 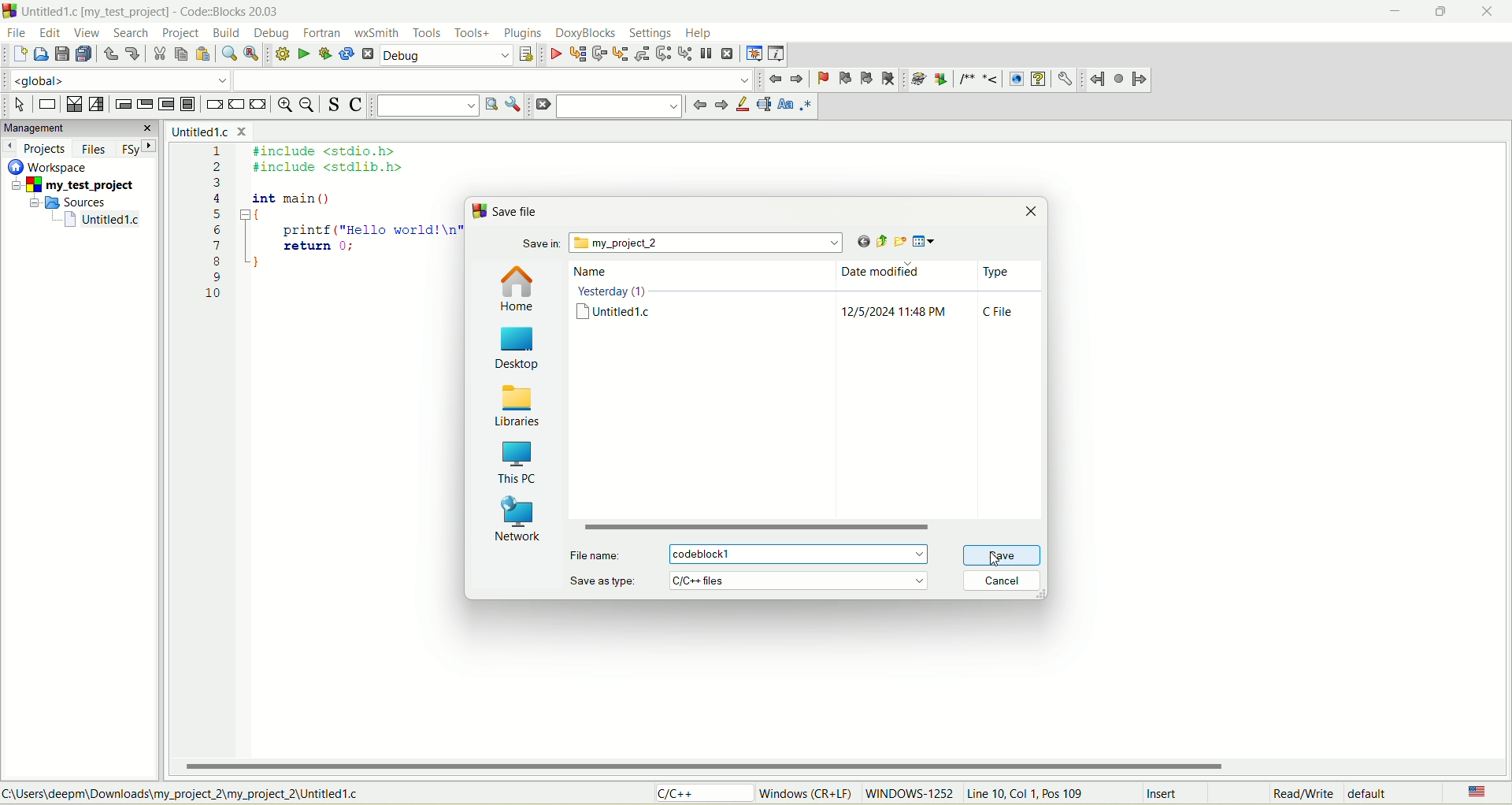 What do you see at coordinates (213, 106) in the screenshot?
I see `break instruction` at bounding box center [213, 106].